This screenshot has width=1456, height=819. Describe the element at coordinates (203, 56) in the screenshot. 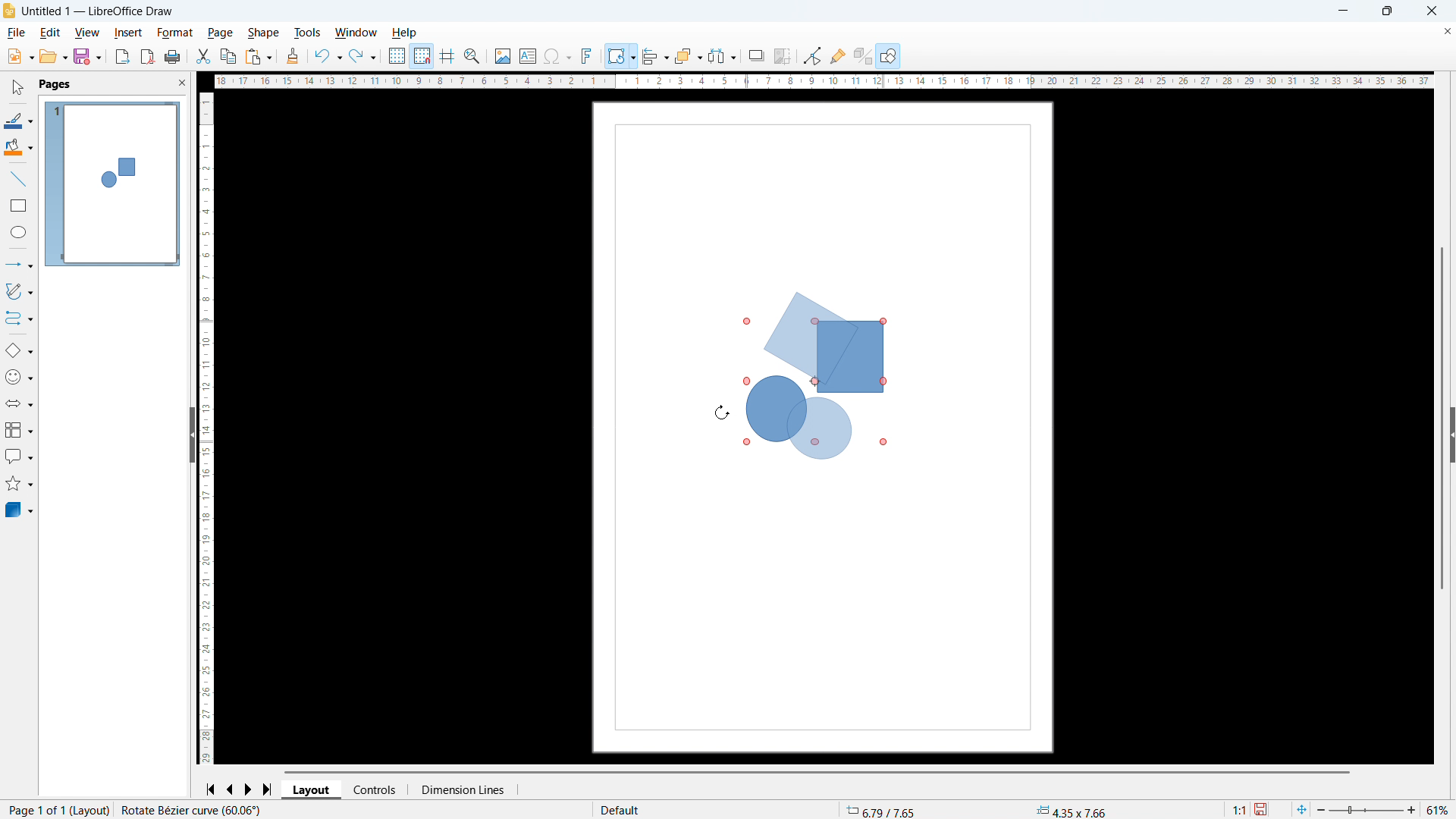

I see `cut ` at that location.